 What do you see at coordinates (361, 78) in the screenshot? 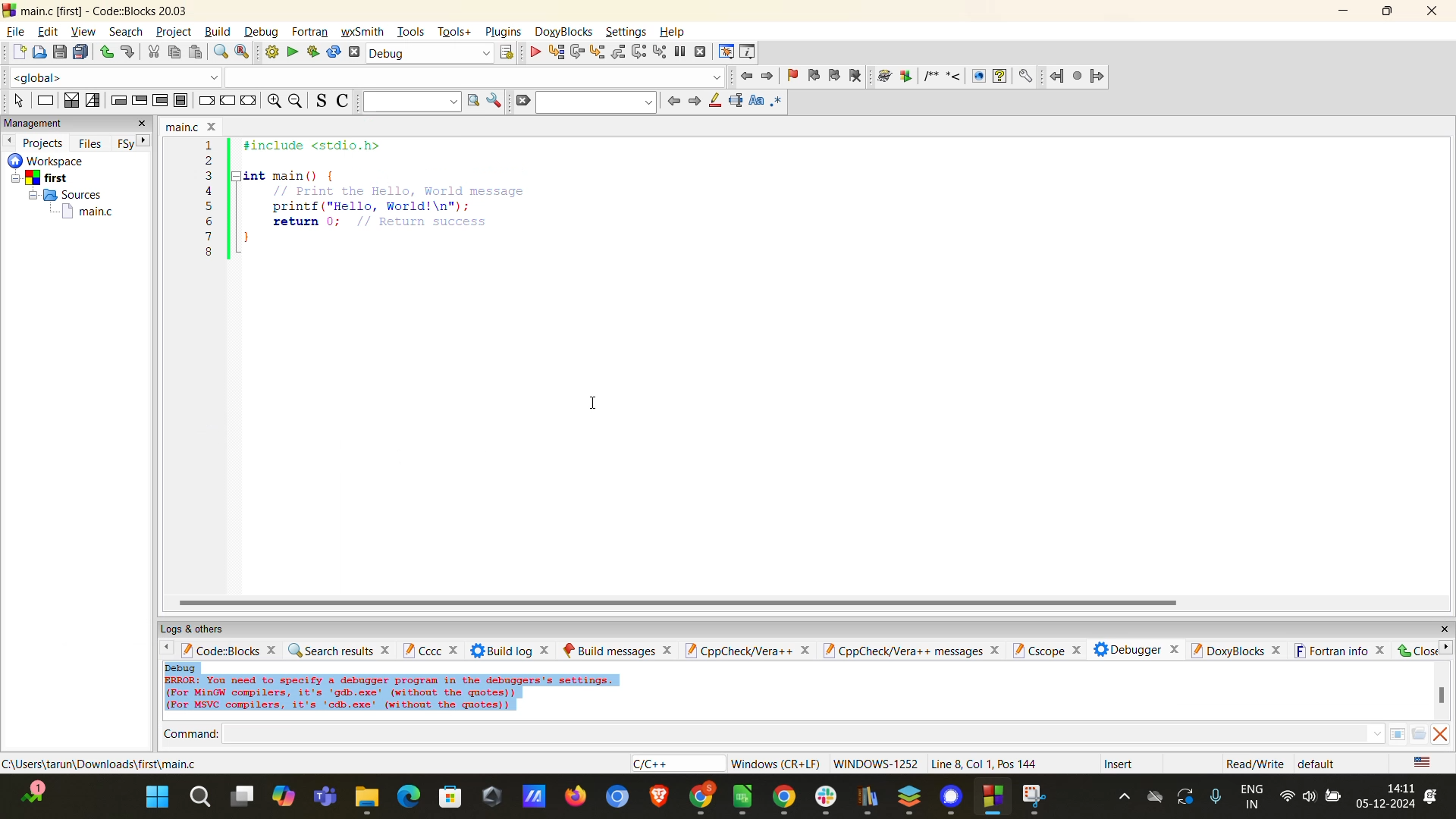
I see `code completion compiler` at bounding box center [361, 78].